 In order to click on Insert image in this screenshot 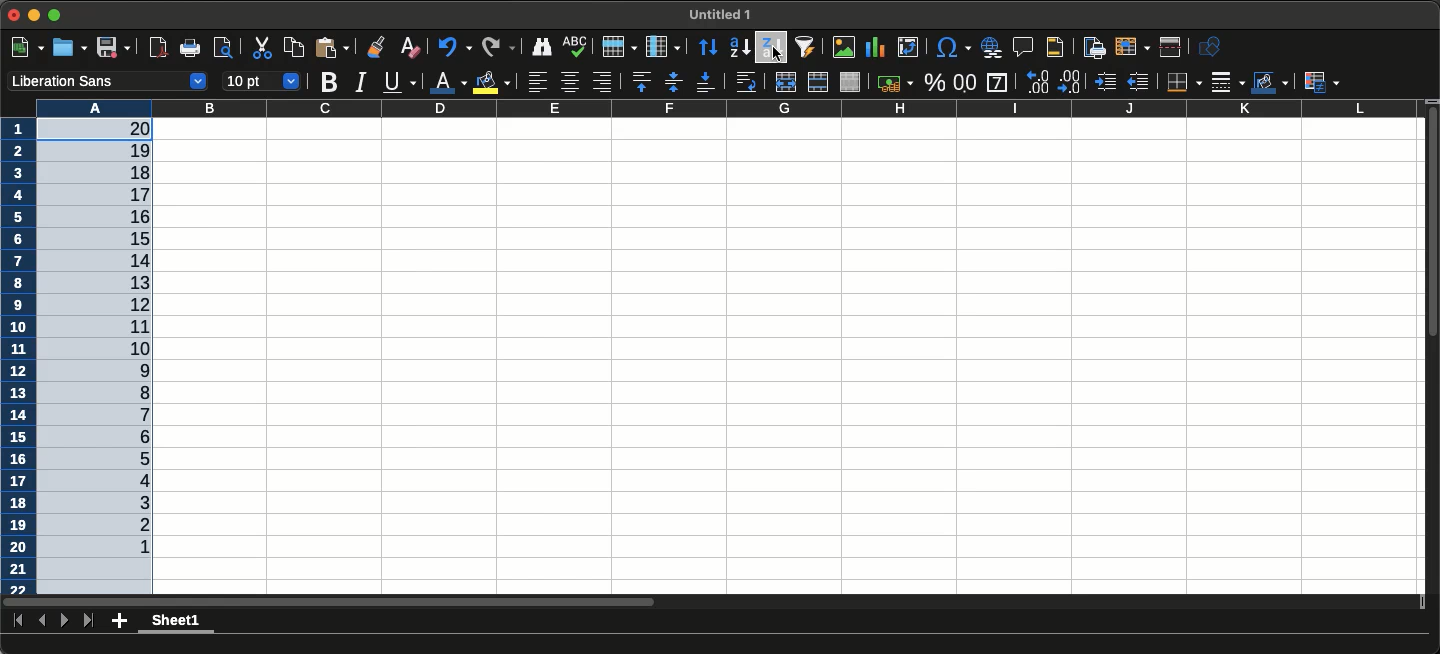, I will do `click(842, 47)`.